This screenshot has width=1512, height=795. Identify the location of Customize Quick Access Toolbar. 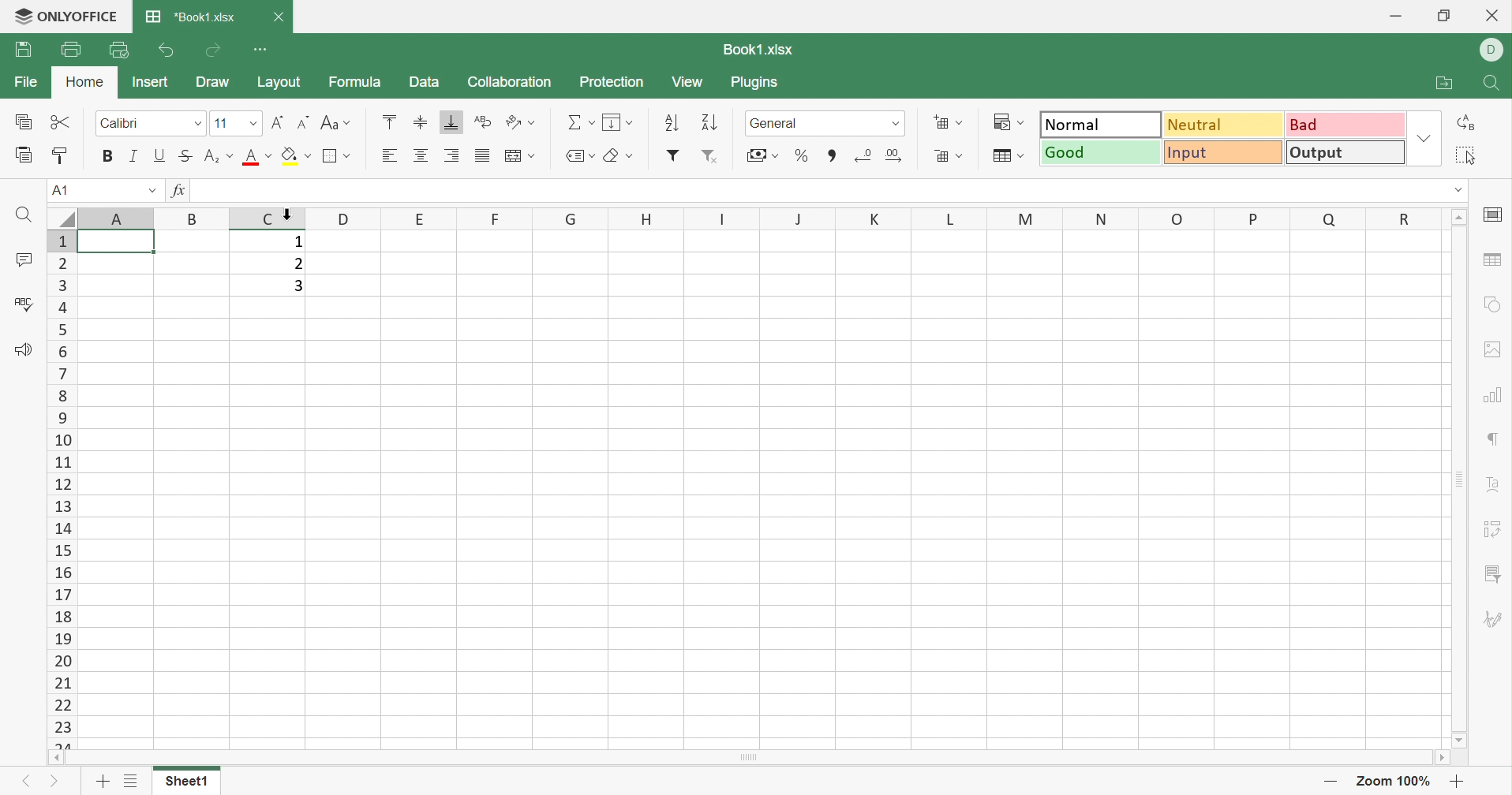
(264, 47).